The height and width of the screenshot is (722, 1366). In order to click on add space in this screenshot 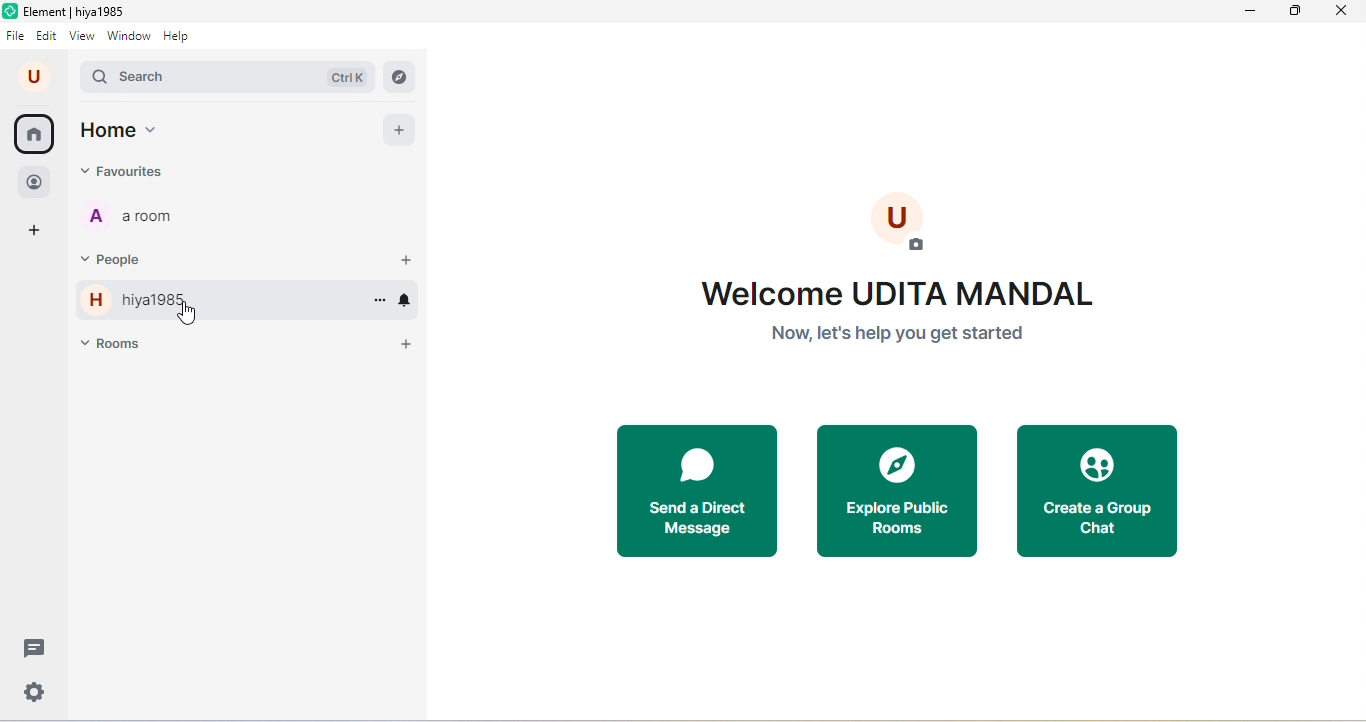, I will do `click(36, 229)`.